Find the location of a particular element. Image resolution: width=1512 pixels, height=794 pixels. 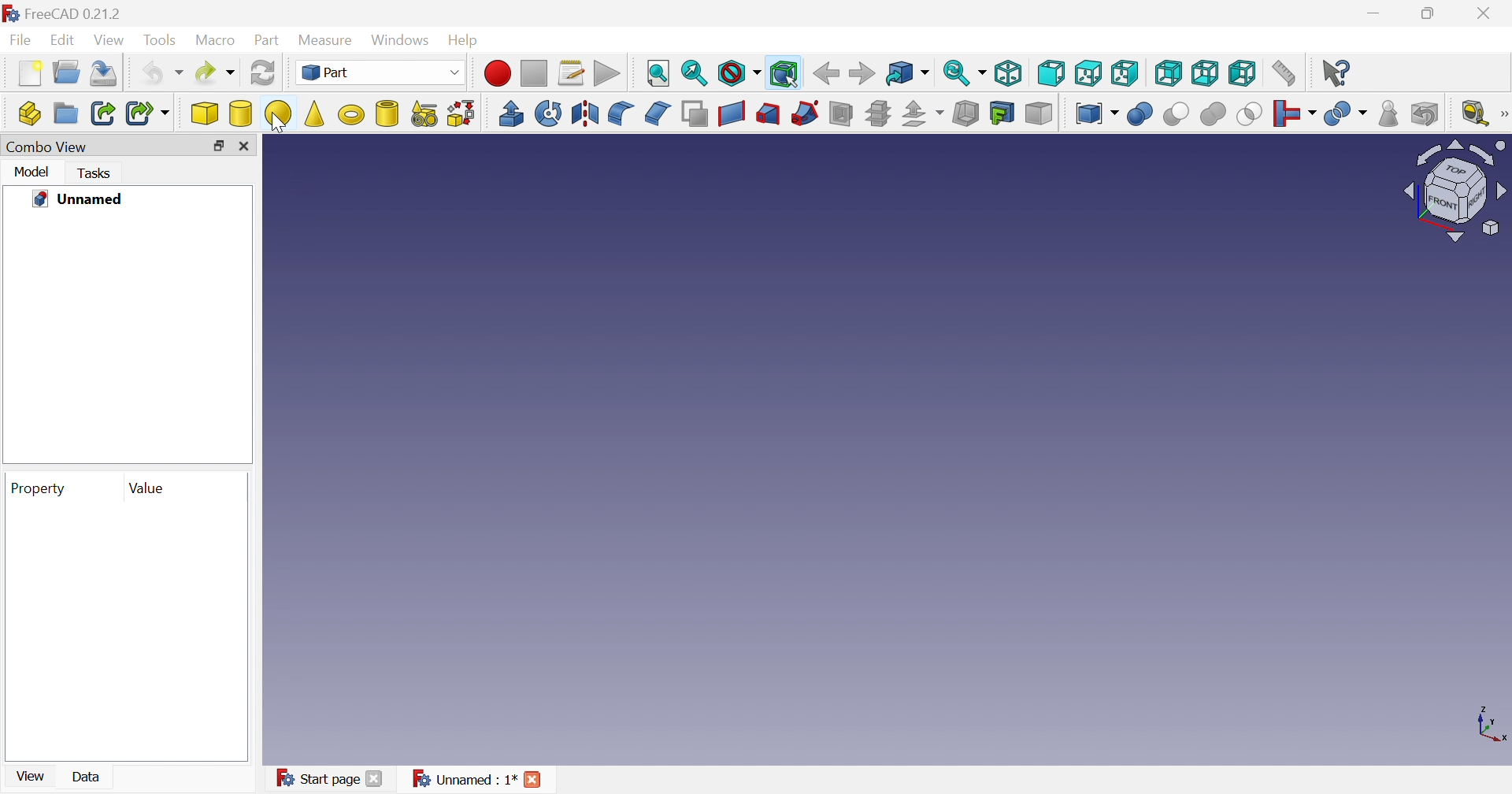

Model is located at coordinates (32, 172).